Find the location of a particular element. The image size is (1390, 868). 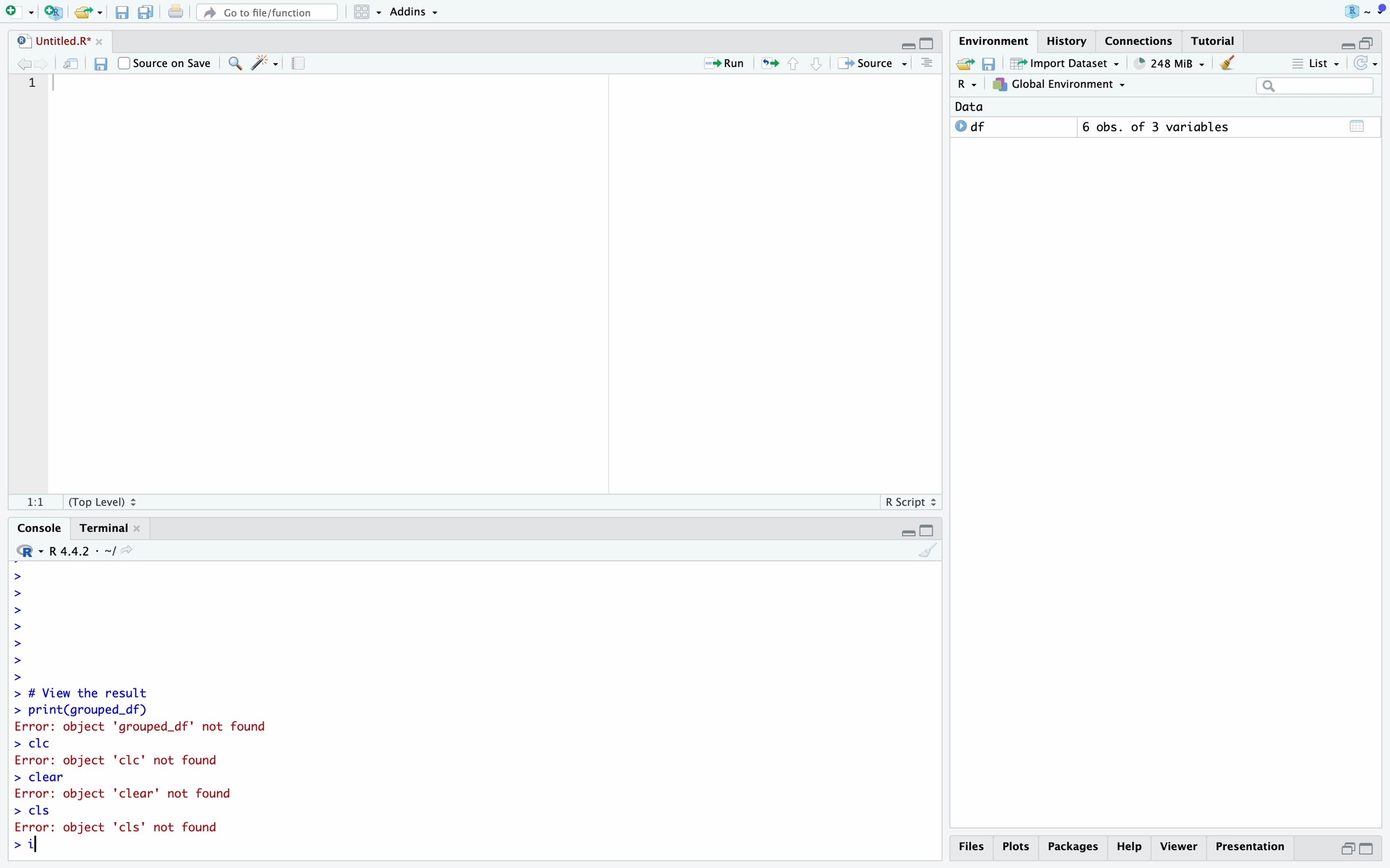

Data is located at coordinates (978, 107).